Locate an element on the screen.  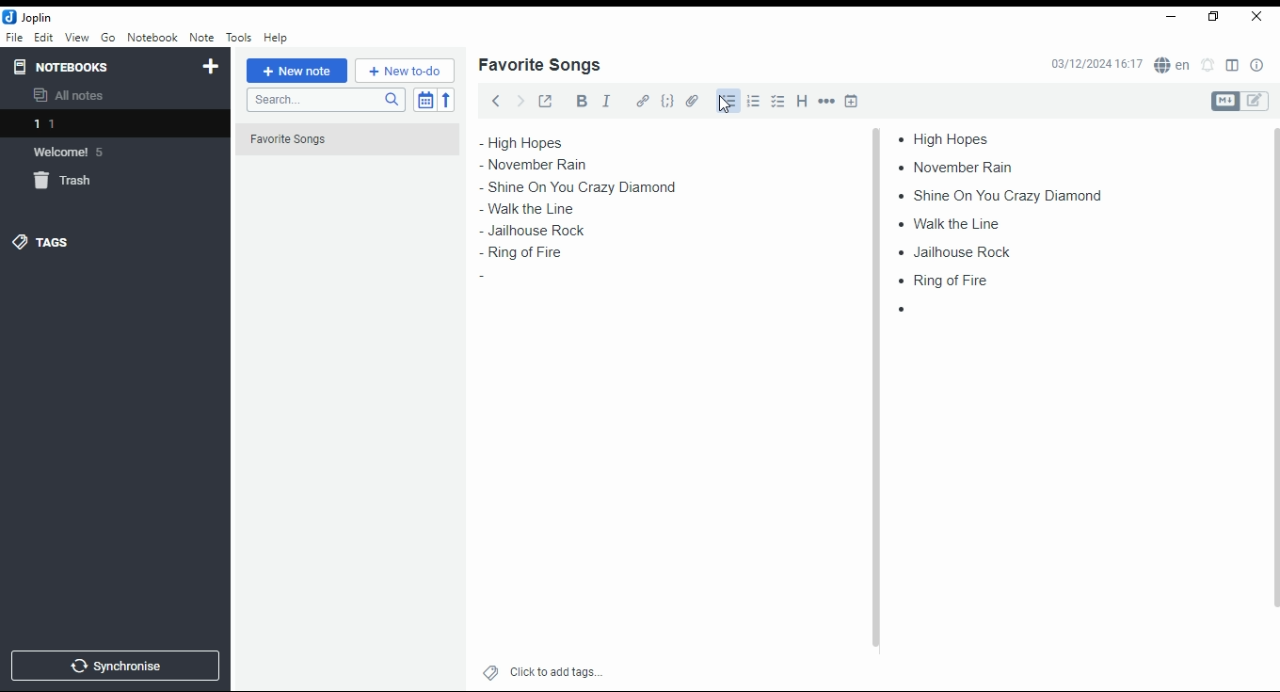
minimize is located at coordinates (1168, 18).